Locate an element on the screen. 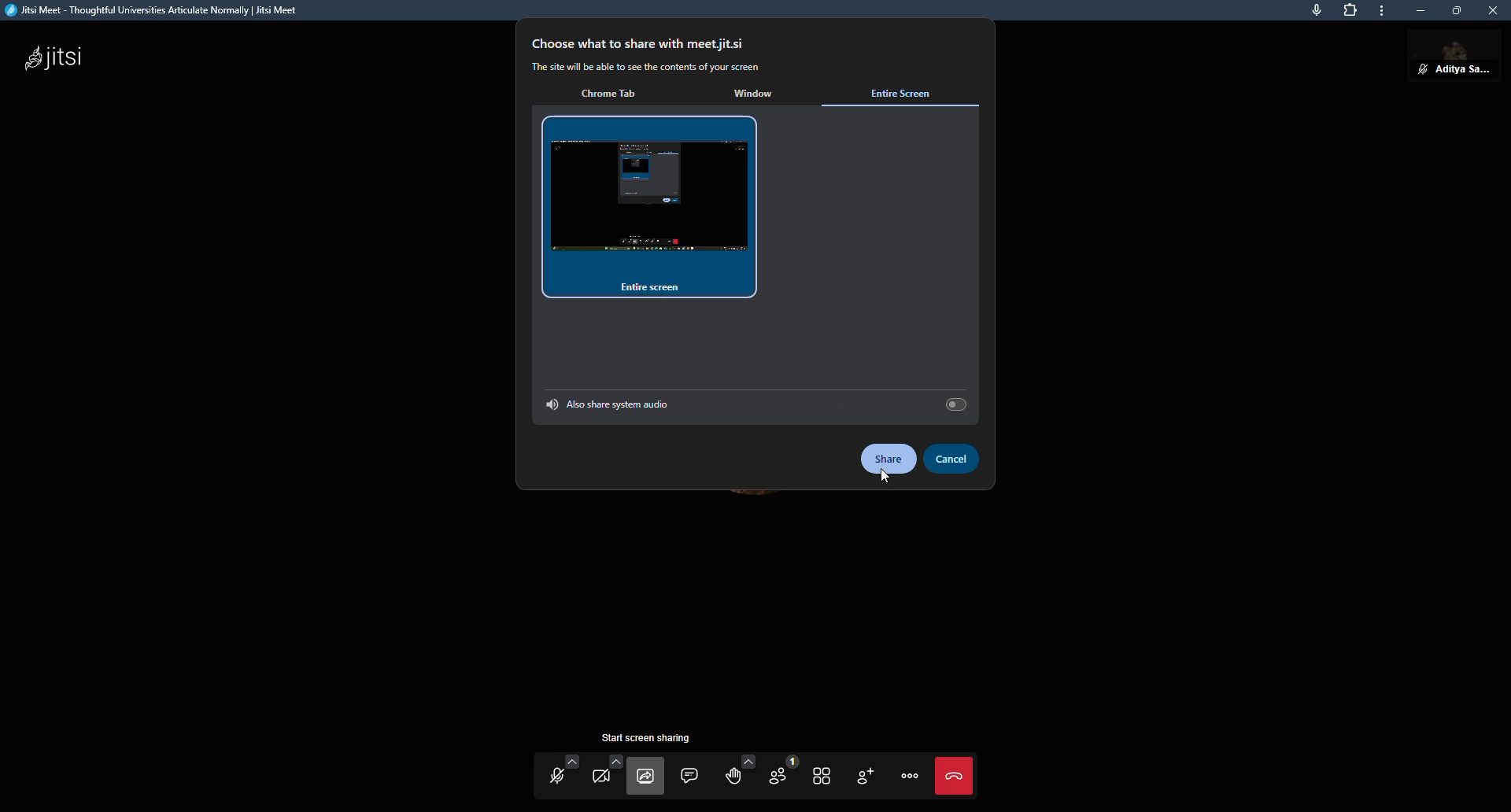 The width and height of the screenshot is (1511, 812). select a tab to share is located at coordinates (881, 171).